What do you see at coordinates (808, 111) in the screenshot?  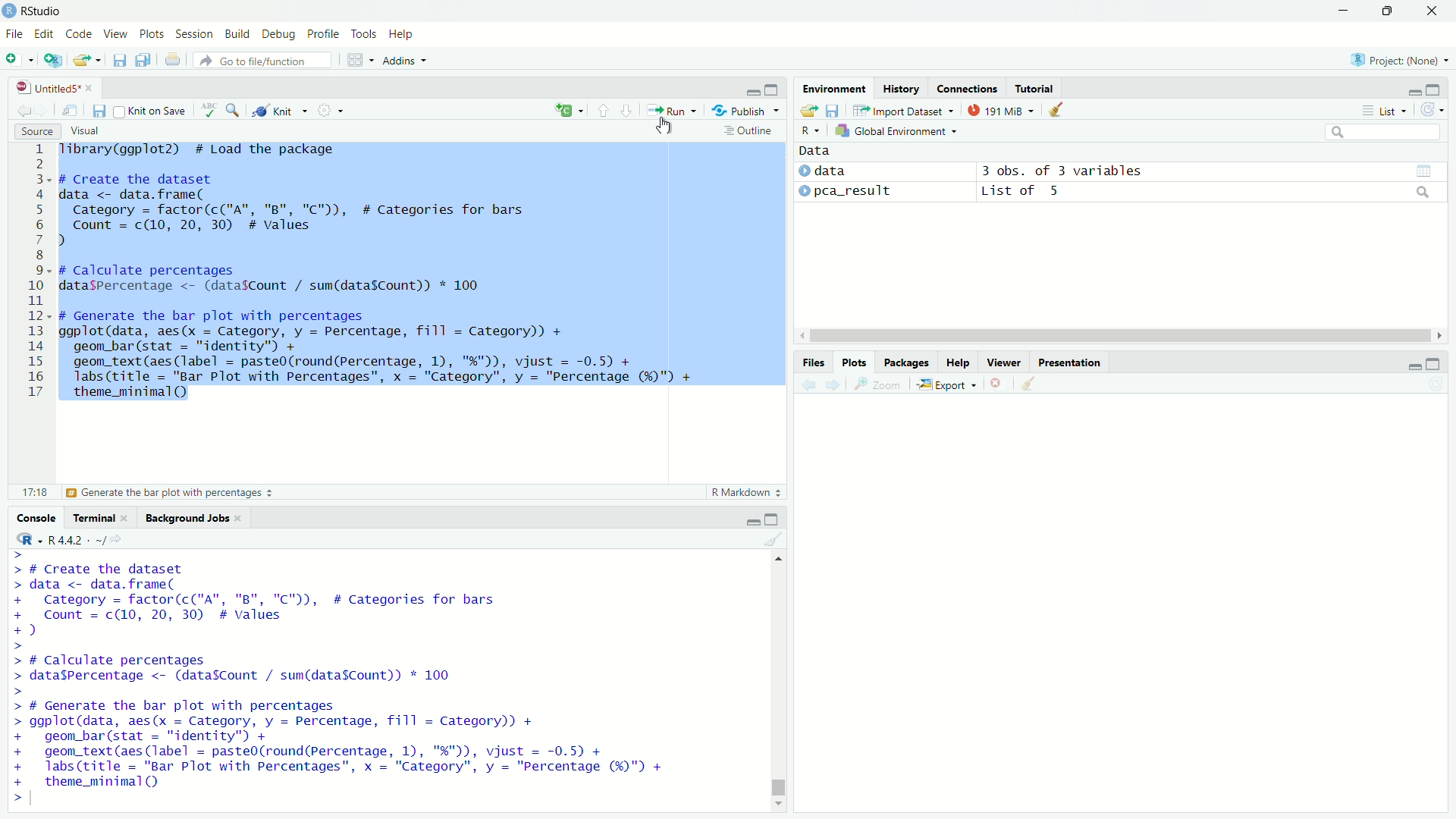 I see `load workspace` at bounding box center [808, 111].